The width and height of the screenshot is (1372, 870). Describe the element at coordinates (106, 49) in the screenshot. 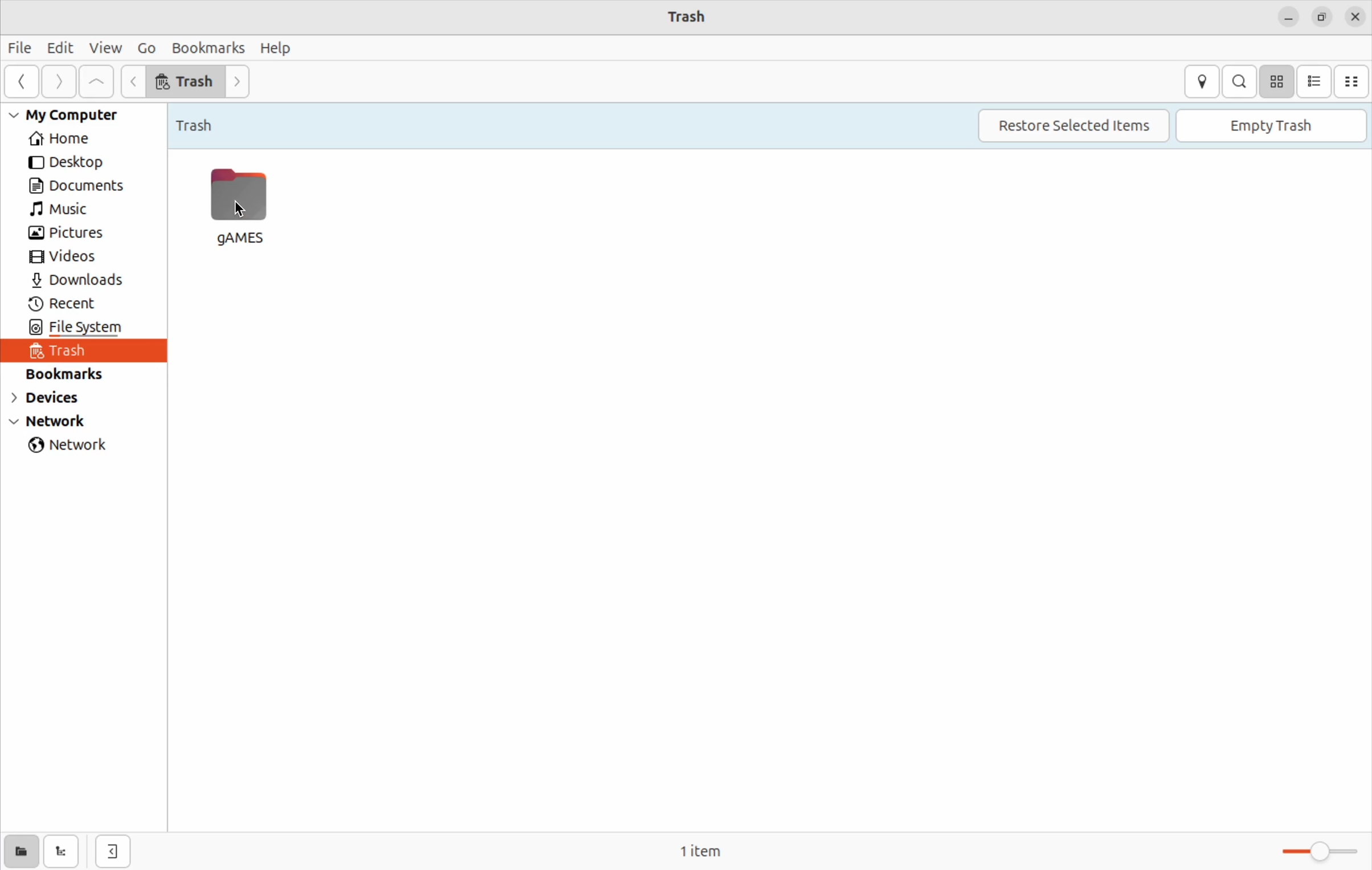

I see `view` at that location.